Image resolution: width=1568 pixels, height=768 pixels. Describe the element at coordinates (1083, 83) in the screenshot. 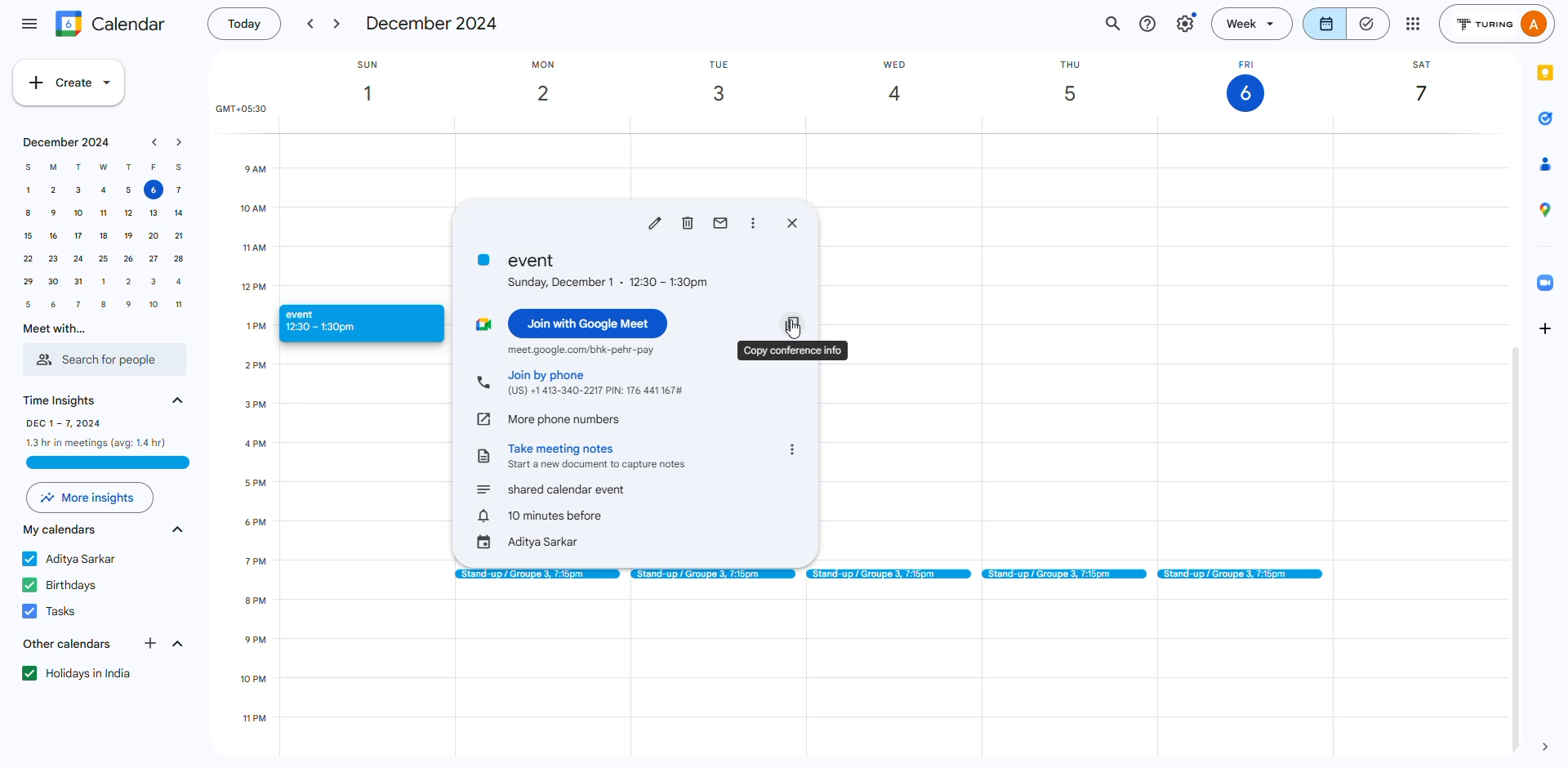

I see `thu 5` at that location.